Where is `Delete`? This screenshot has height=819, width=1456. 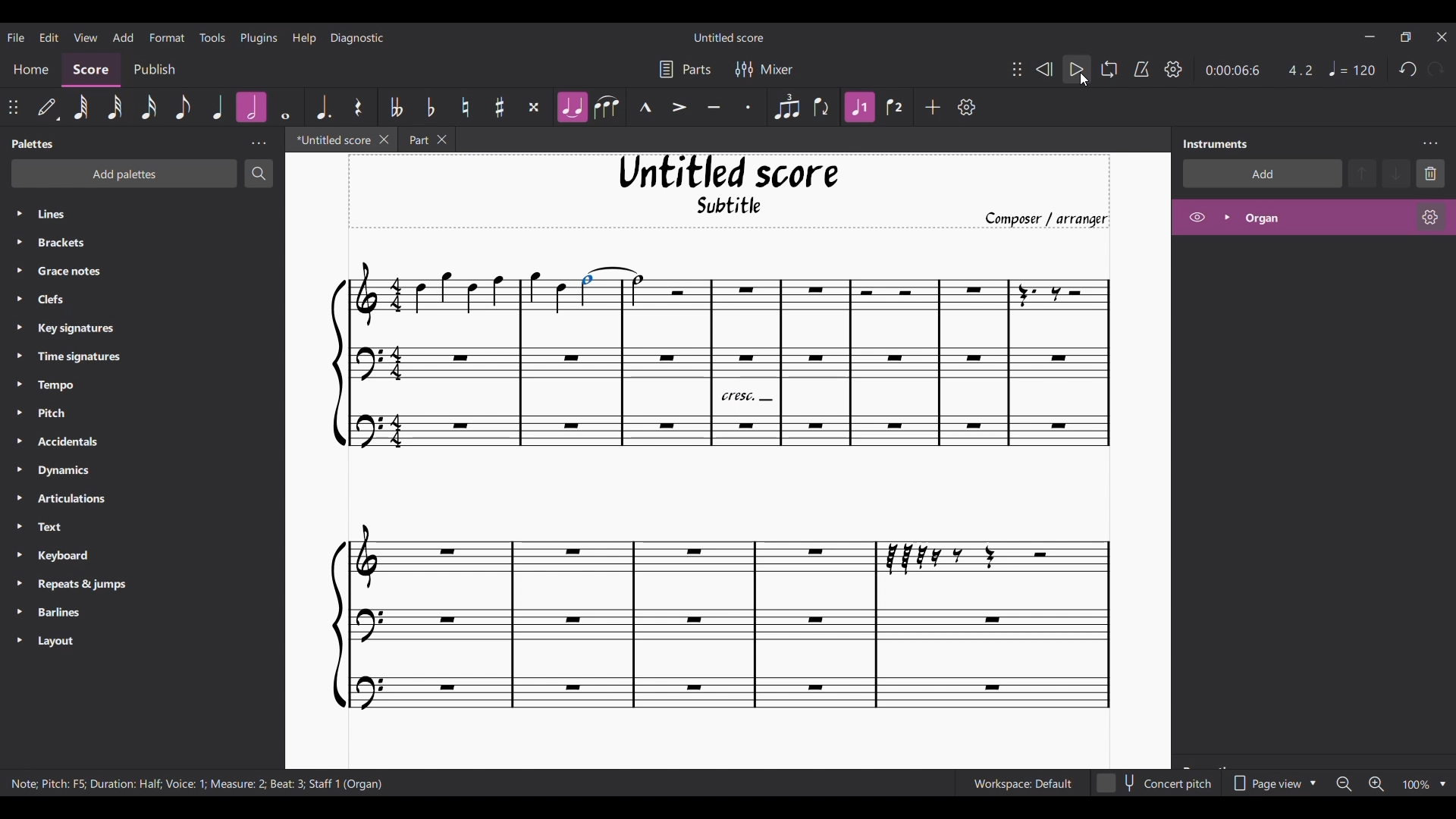
Delete is located at coordinates (1430, 174).